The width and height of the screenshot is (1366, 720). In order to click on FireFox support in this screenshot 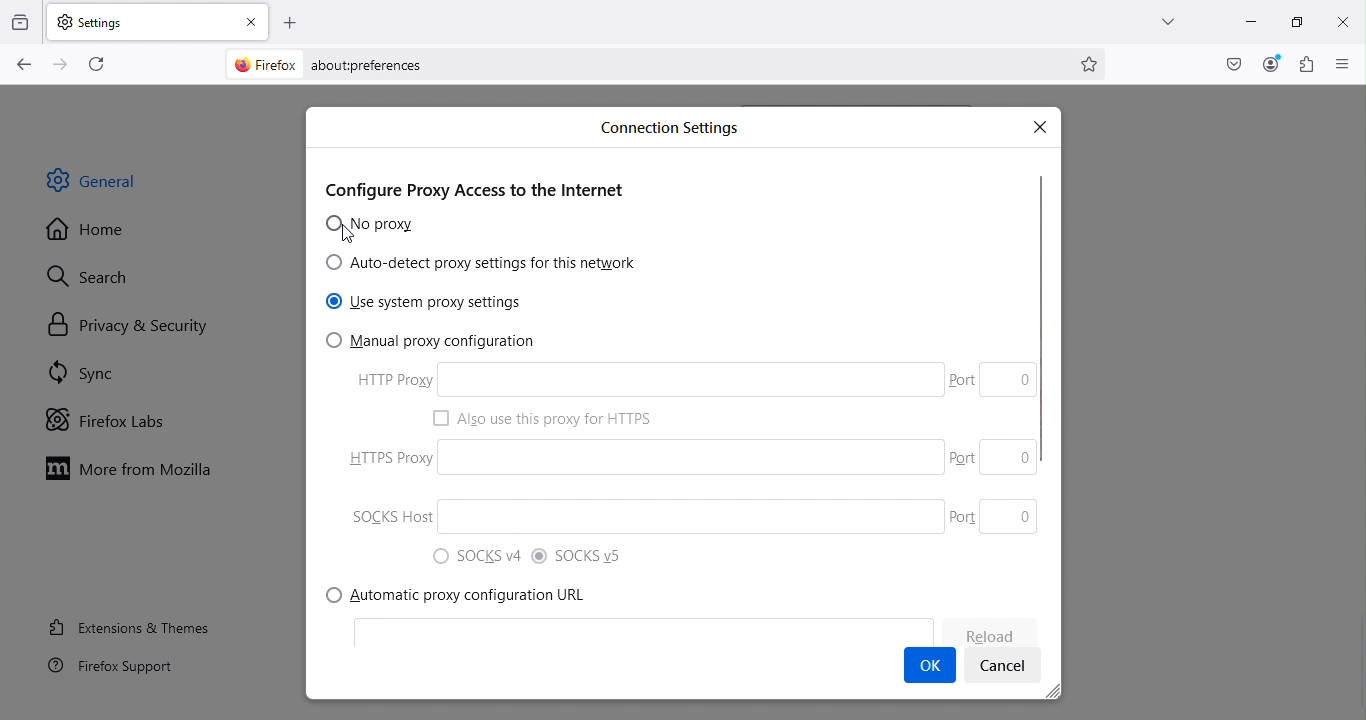, I will do `click(106, 673)`.